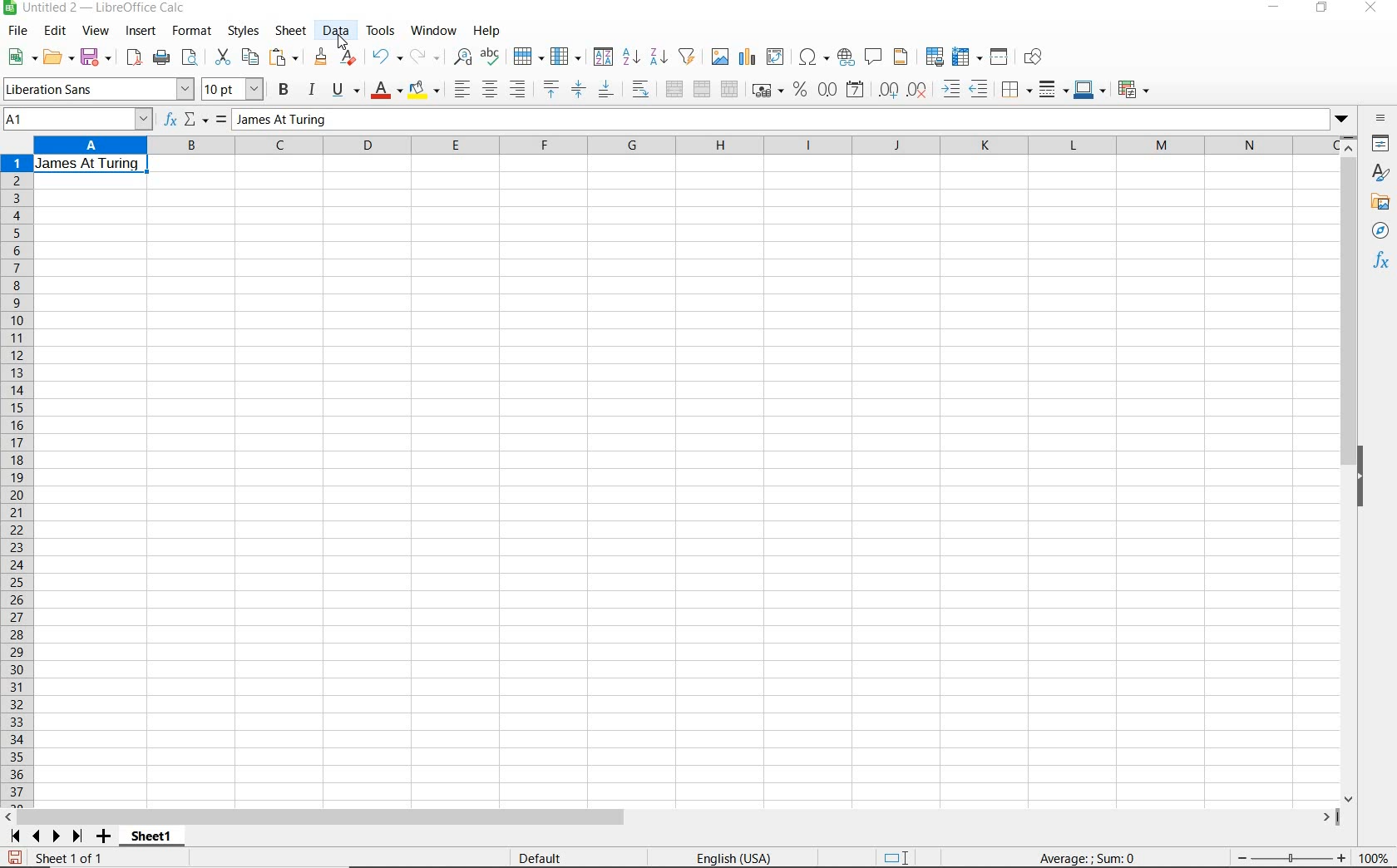 The height and width of the screenshot is (868, 1397). Describe the element at coordinates (921, 90) in the screenshot. I see `delete decimal place` at that location.